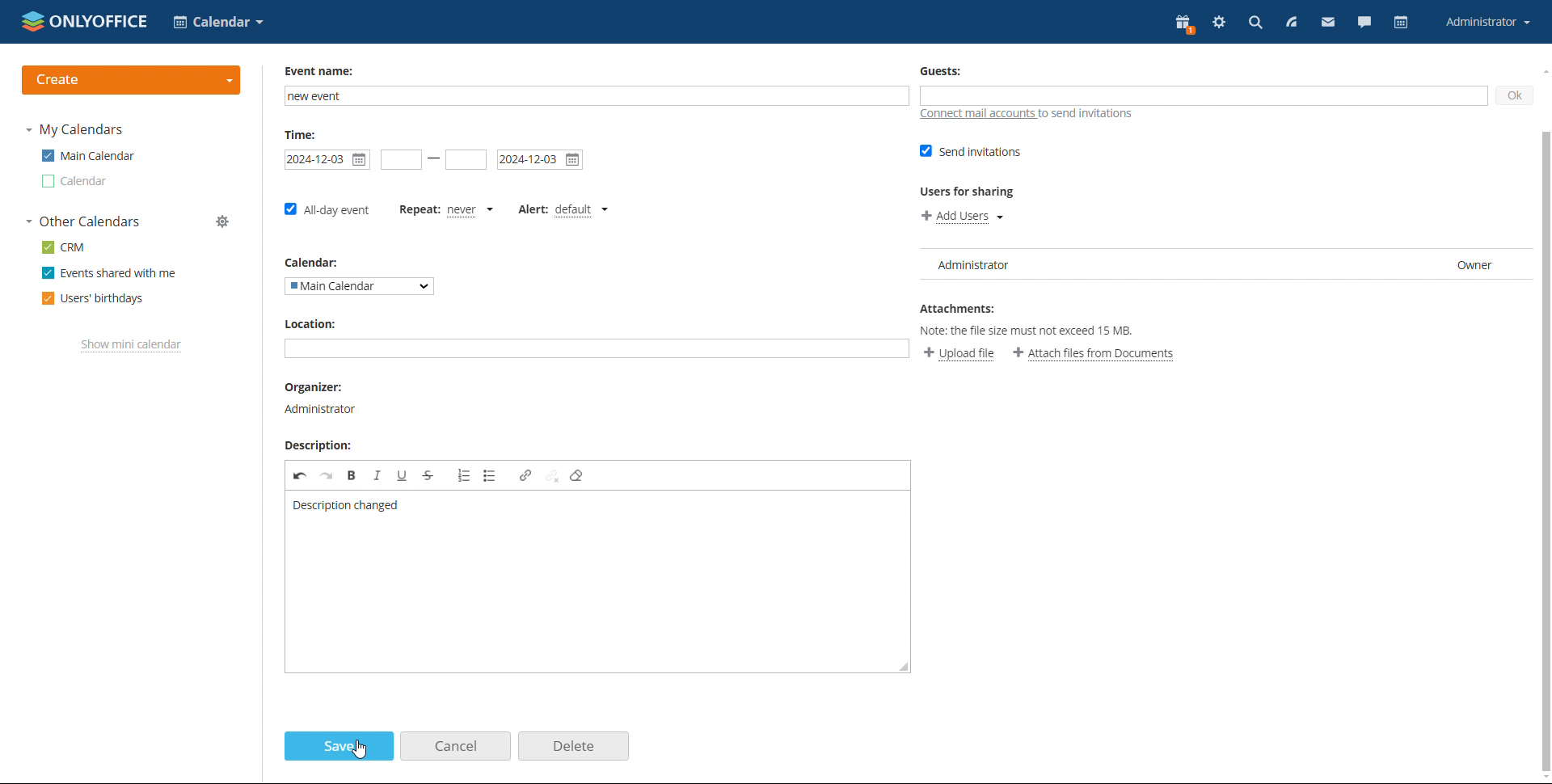  Describe the element at coordinates (1219, 23) in the screenshot. I see `settings` at that location.